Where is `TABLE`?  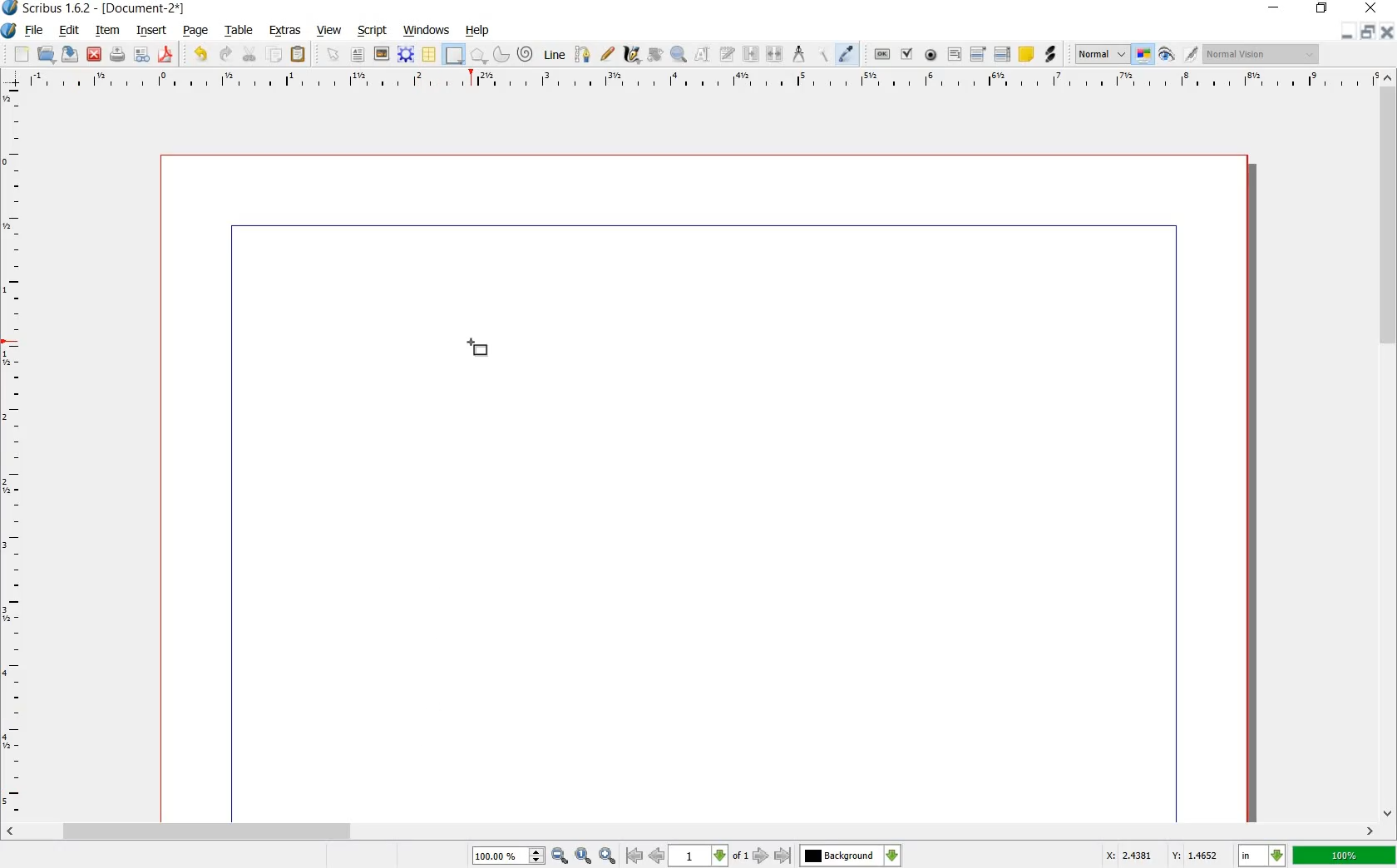 TABLE is located at coordinates (240, 32).